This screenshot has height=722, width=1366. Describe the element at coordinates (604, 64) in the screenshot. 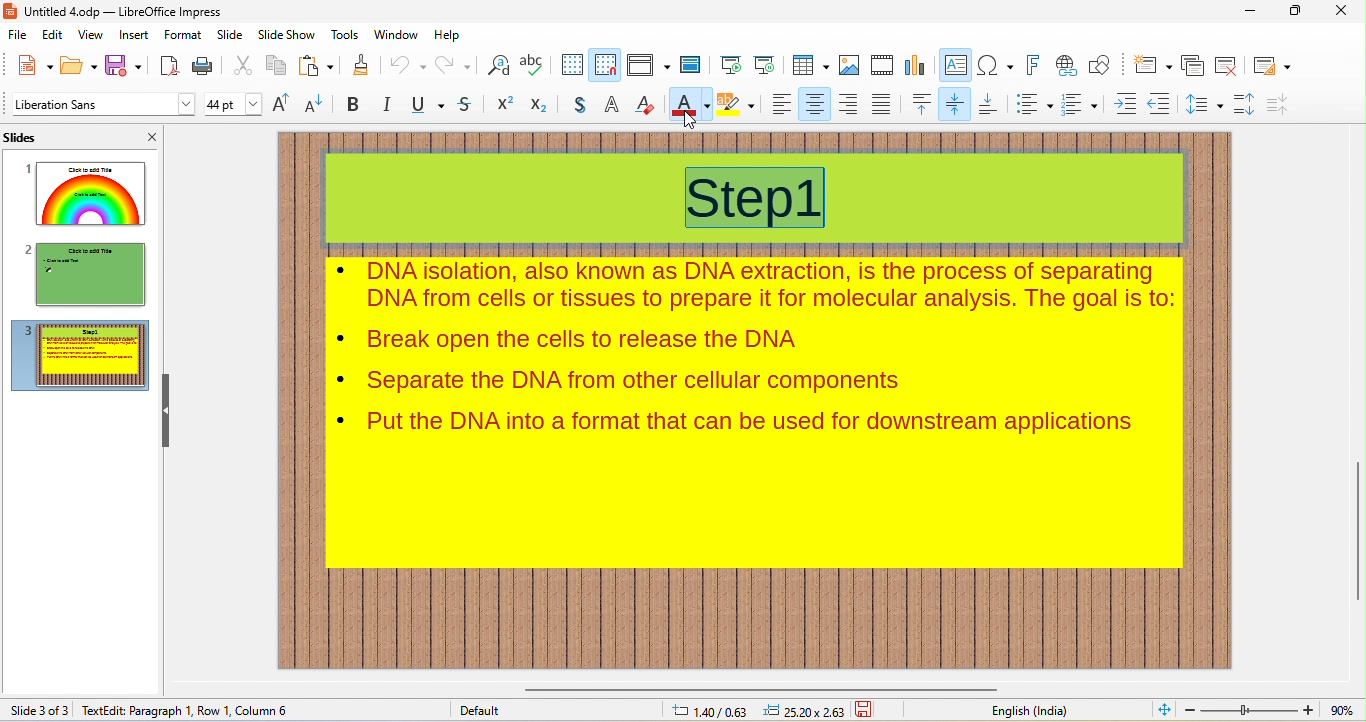

I see `snap to grid` at that location.